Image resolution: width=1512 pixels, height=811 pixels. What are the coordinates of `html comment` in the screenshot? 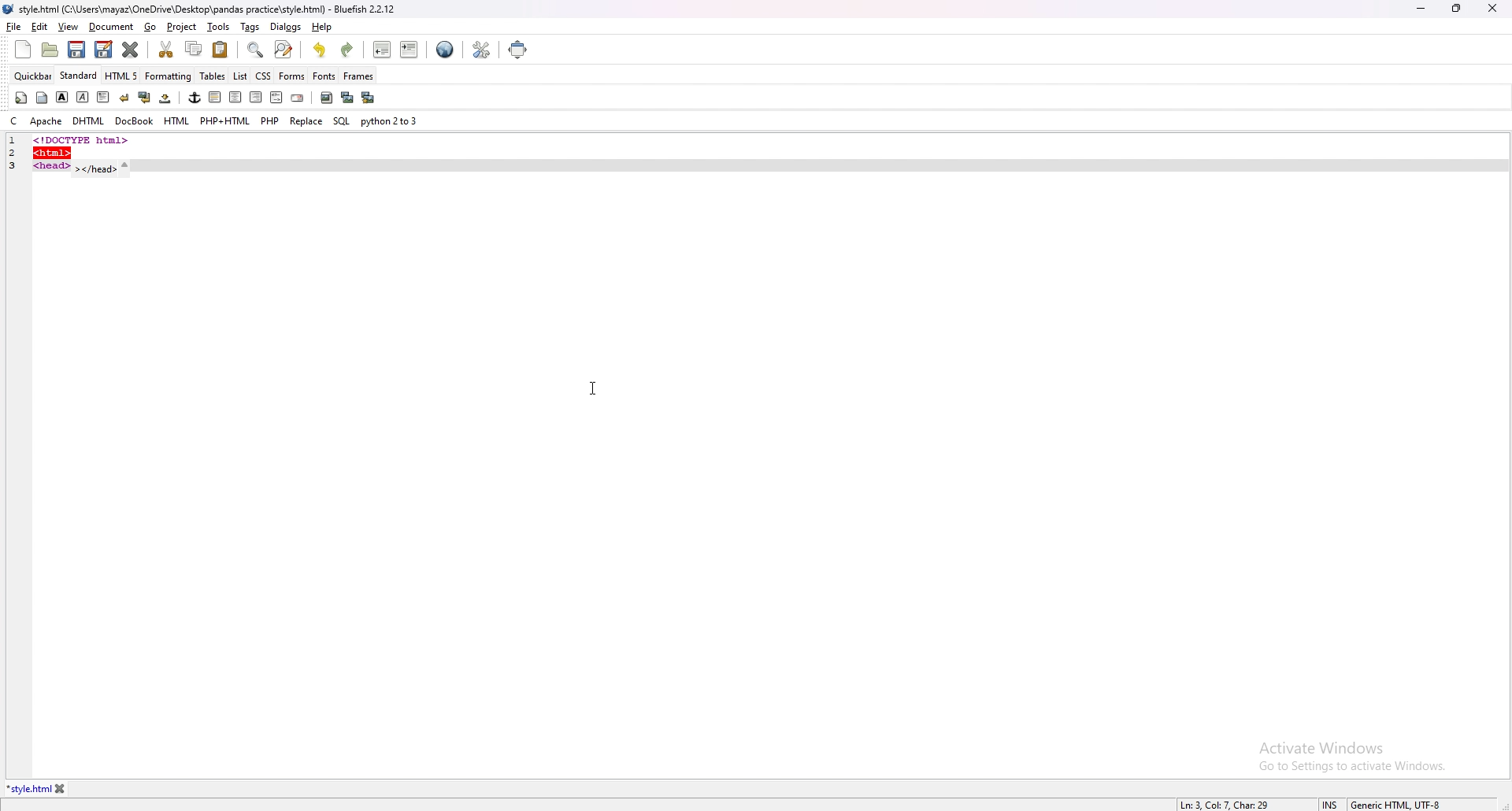 It's located at (276, 98).